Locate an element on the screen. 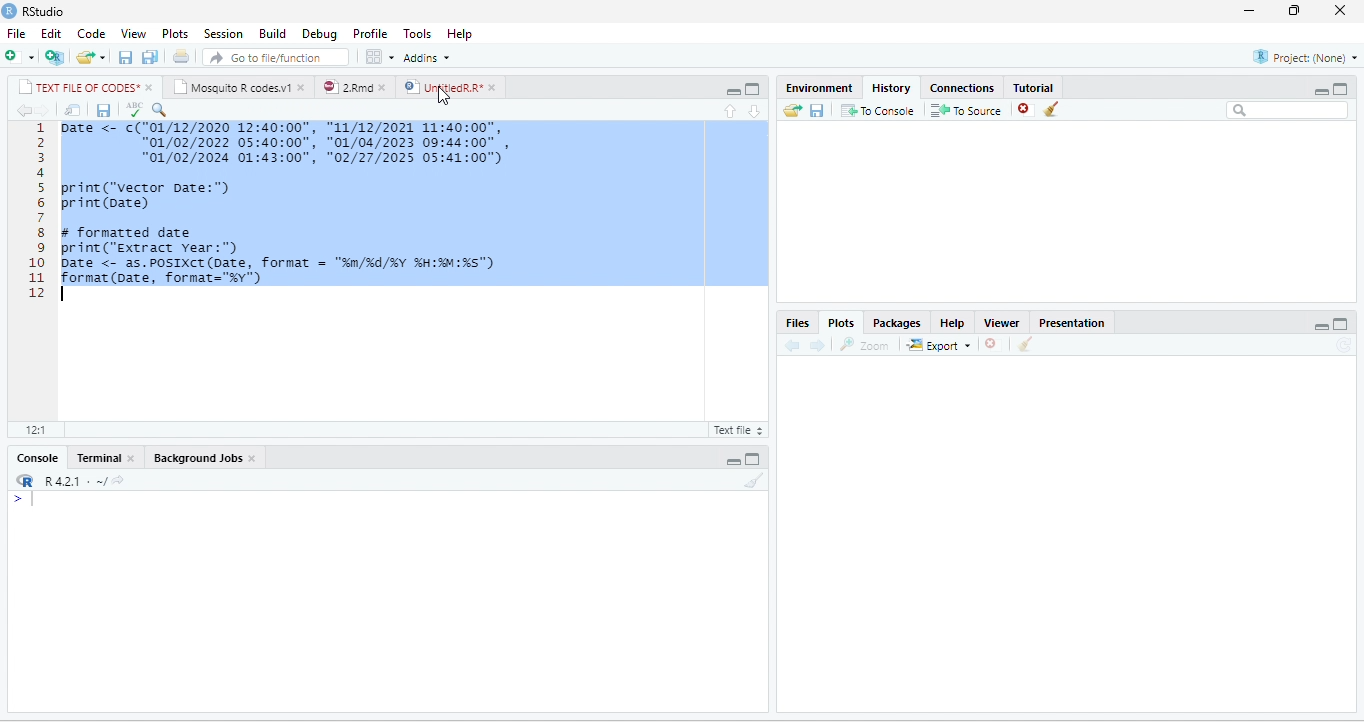  clear is located at coordinates (755, 480).